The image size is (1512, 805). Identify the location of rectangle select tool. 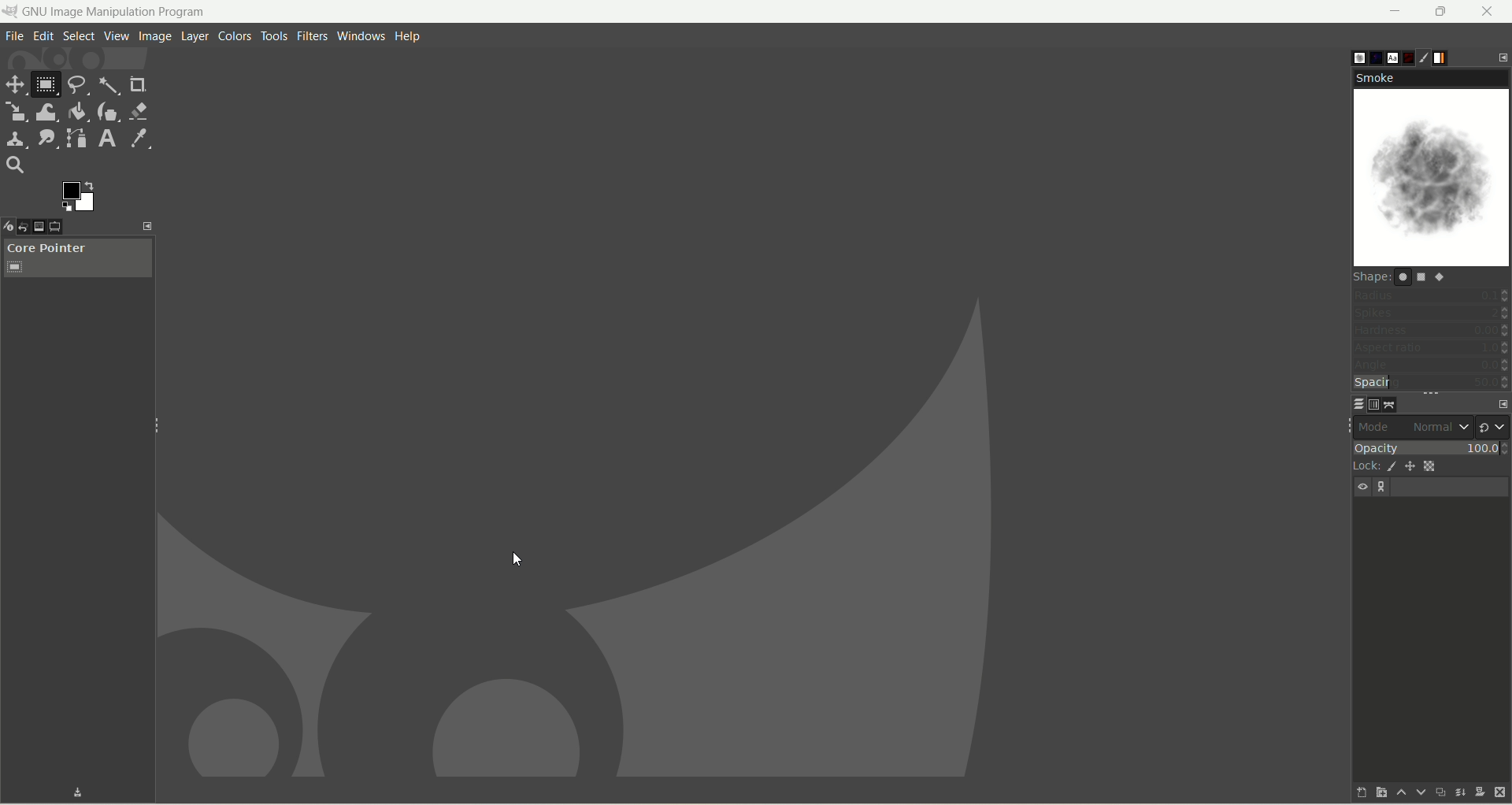
(45, 87).